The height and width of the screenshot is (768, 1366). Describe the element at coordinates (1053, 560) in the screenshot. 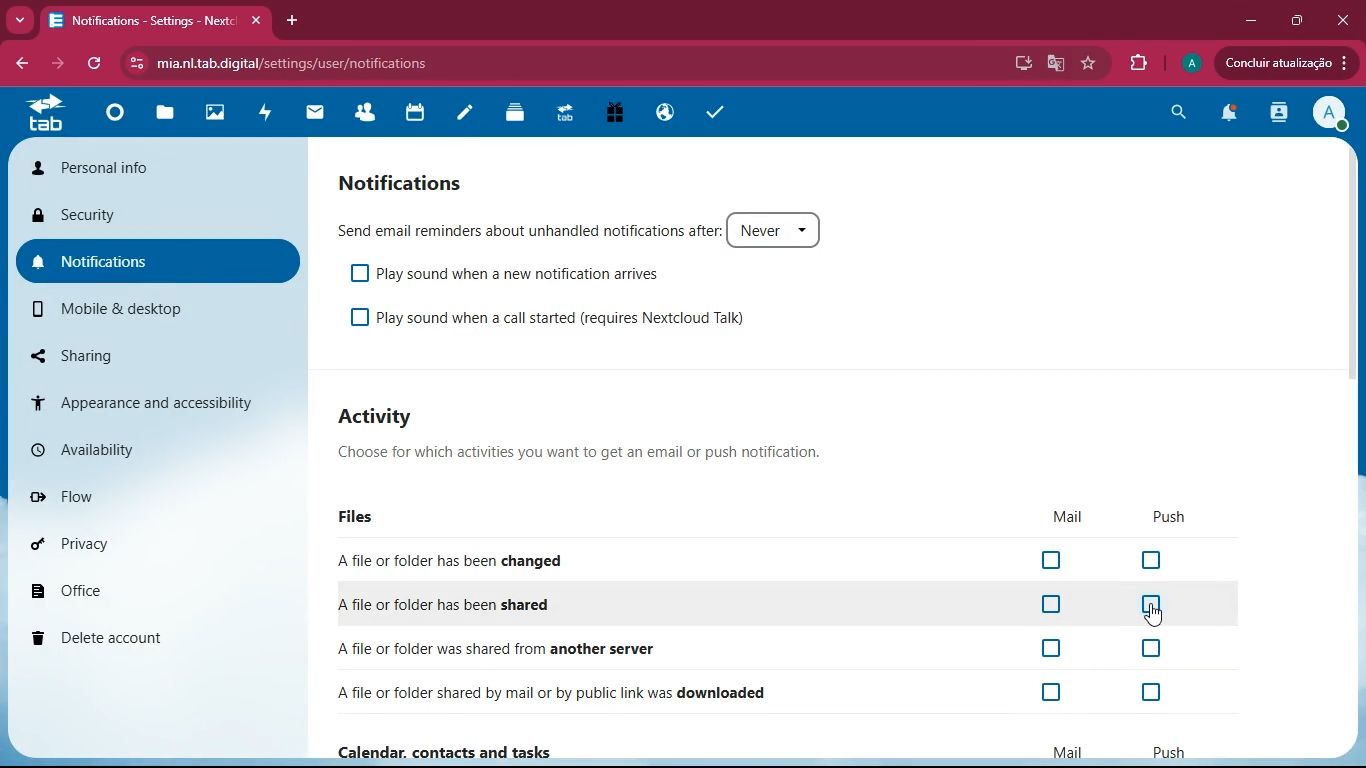

I see `off` at that location.